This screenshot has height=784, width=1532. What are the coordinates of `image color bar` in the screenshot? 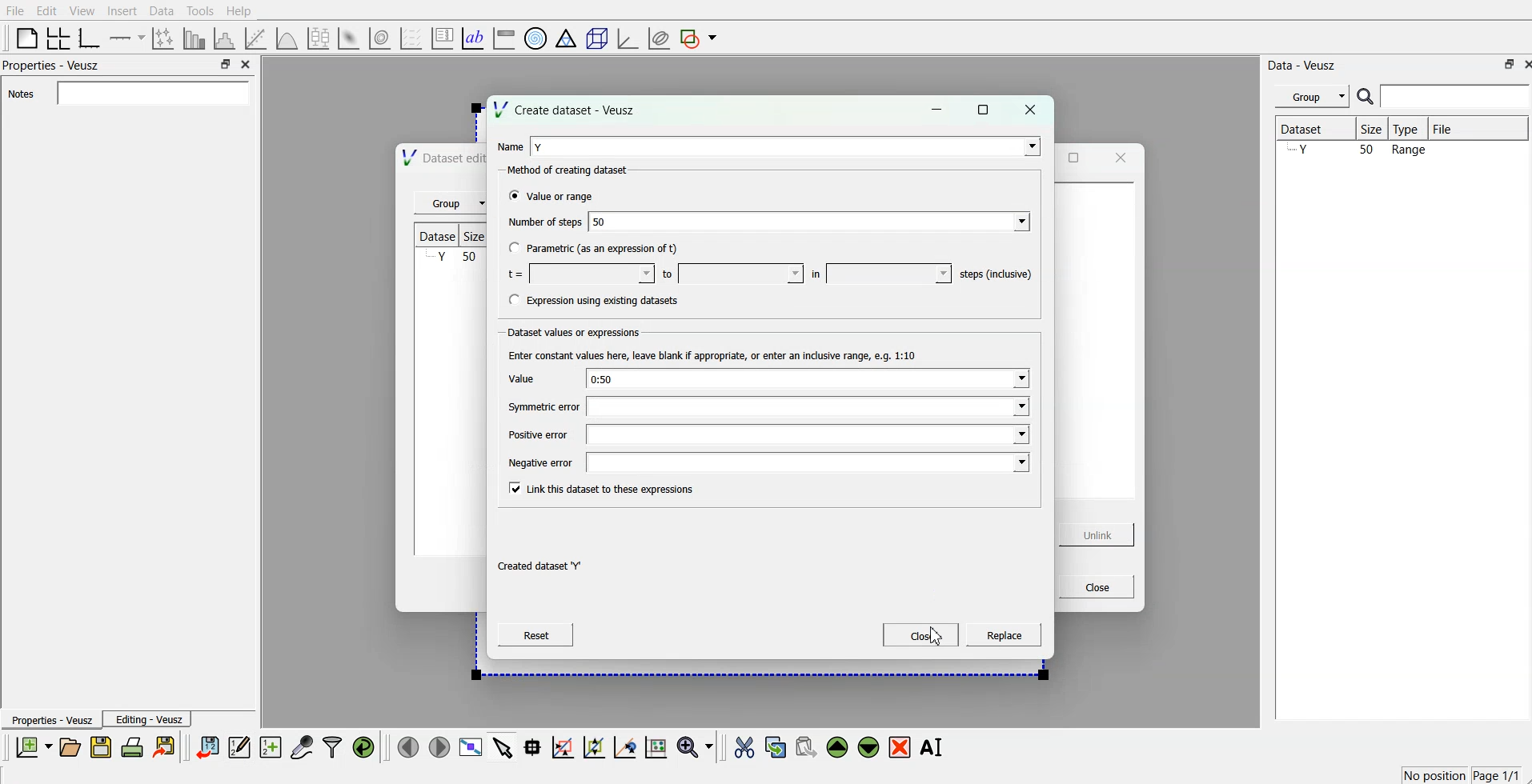 It's located at (503, 37).